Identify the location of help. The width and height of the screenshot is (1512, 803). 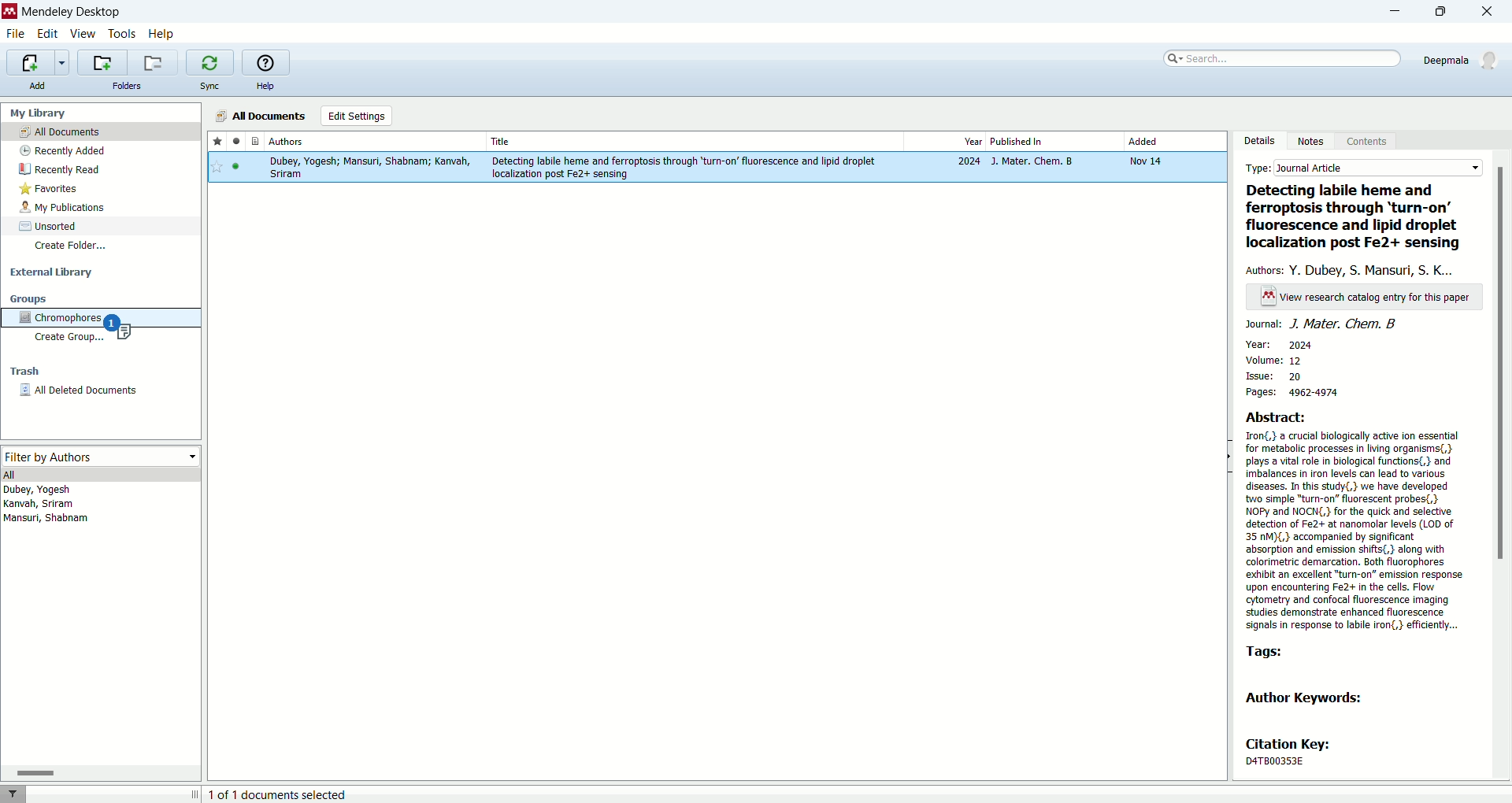
(161, 34).